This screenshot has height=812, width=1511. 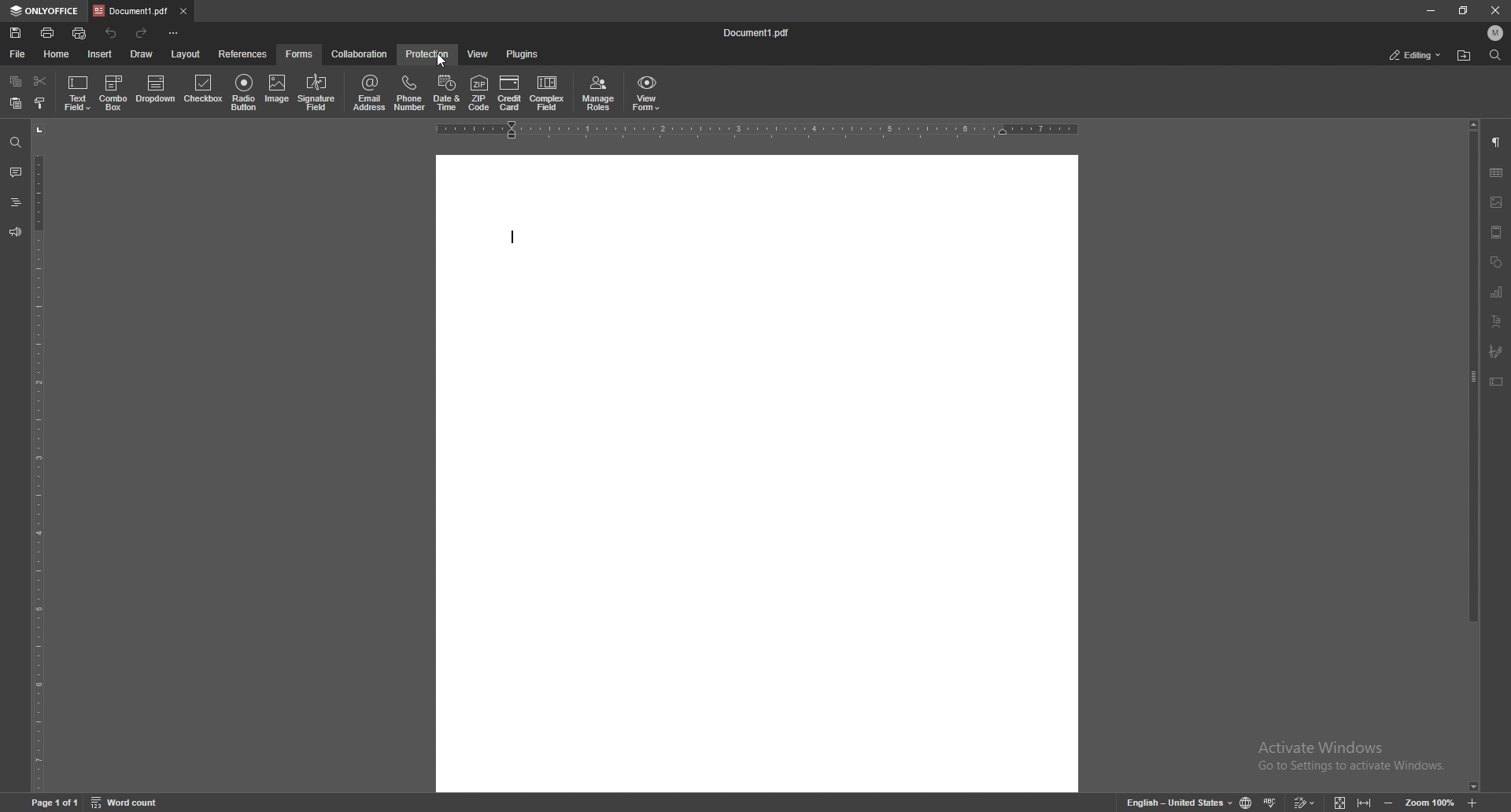 What do you see at coordinates (1431, 802) in the screenshot?
I see `zoom` at bounding box center [1431, 802].